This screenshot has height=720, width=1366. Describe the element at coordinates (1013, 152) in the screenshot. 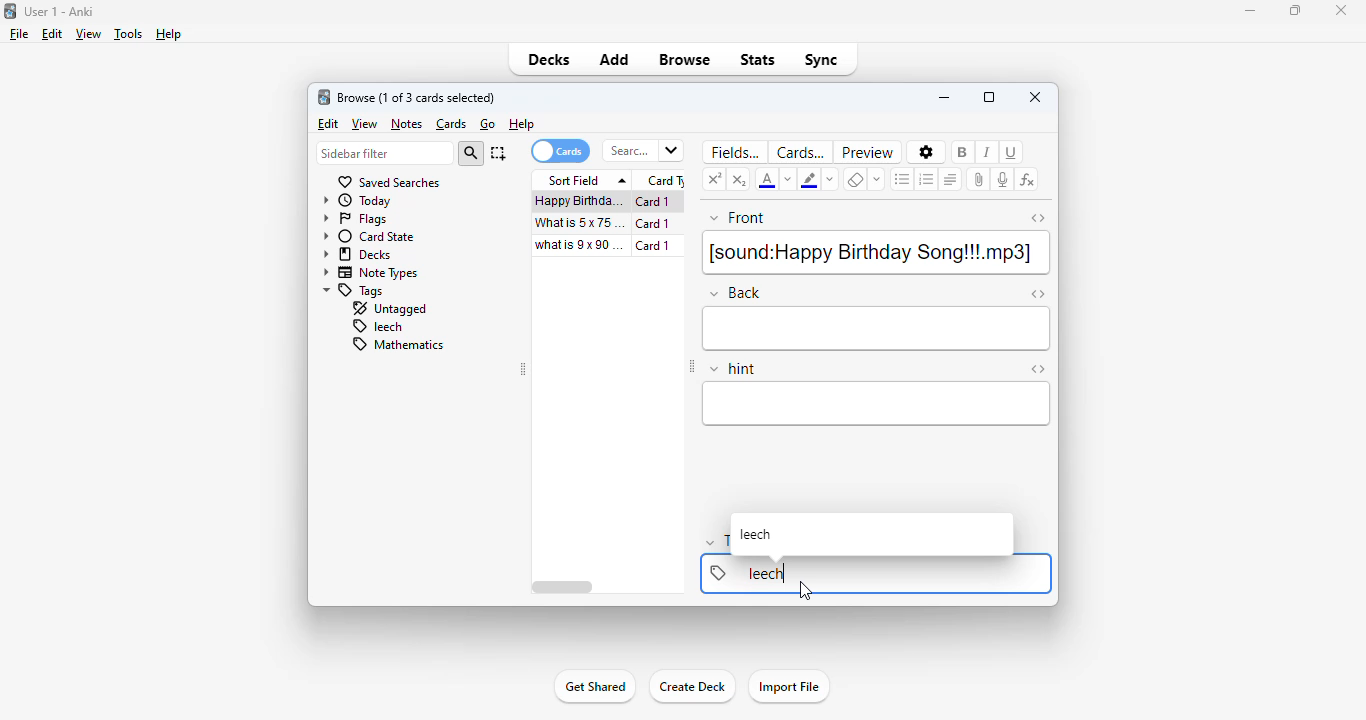

I see `underline` at that location.